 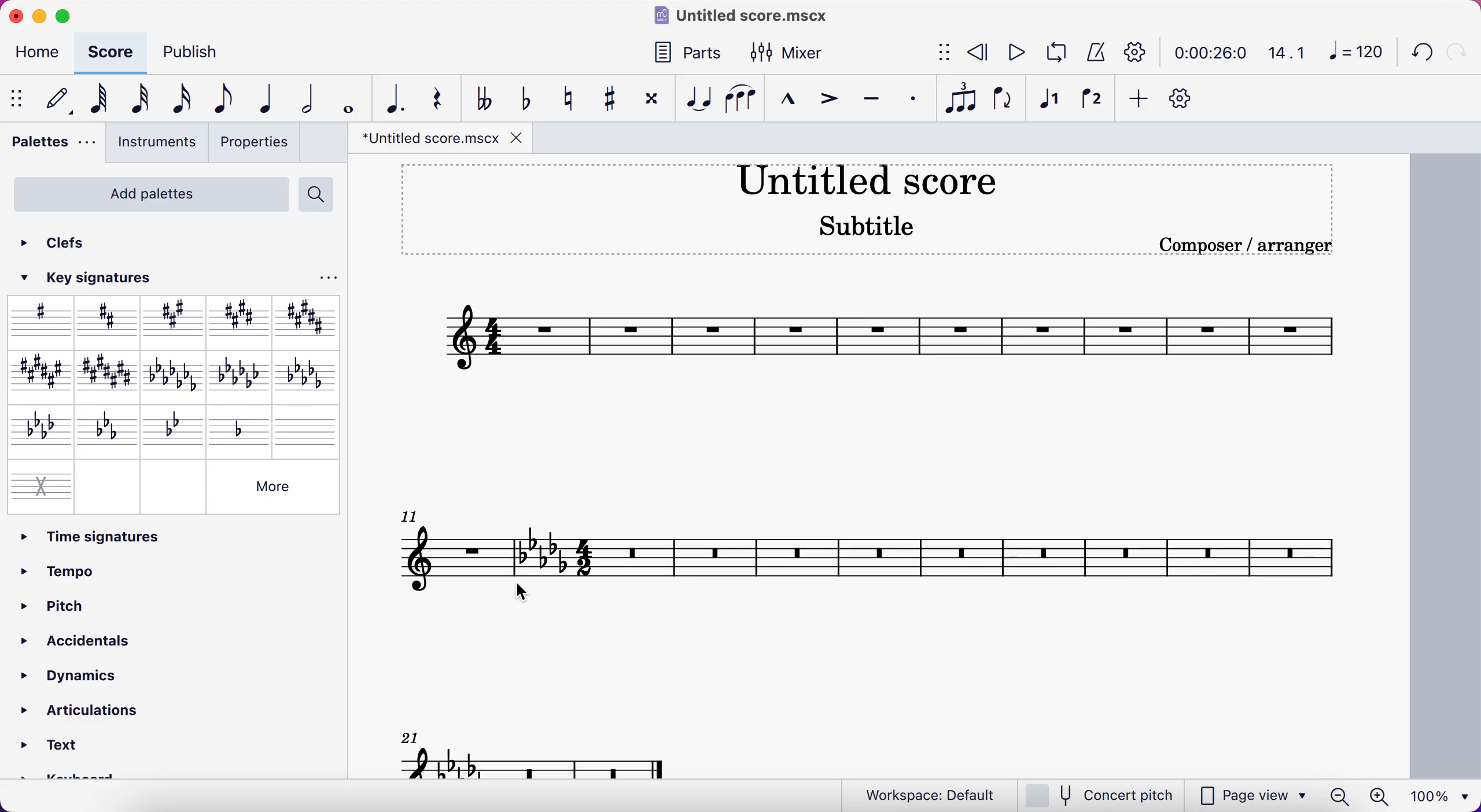 I want to click on key signature, so click(x=96, y=278).